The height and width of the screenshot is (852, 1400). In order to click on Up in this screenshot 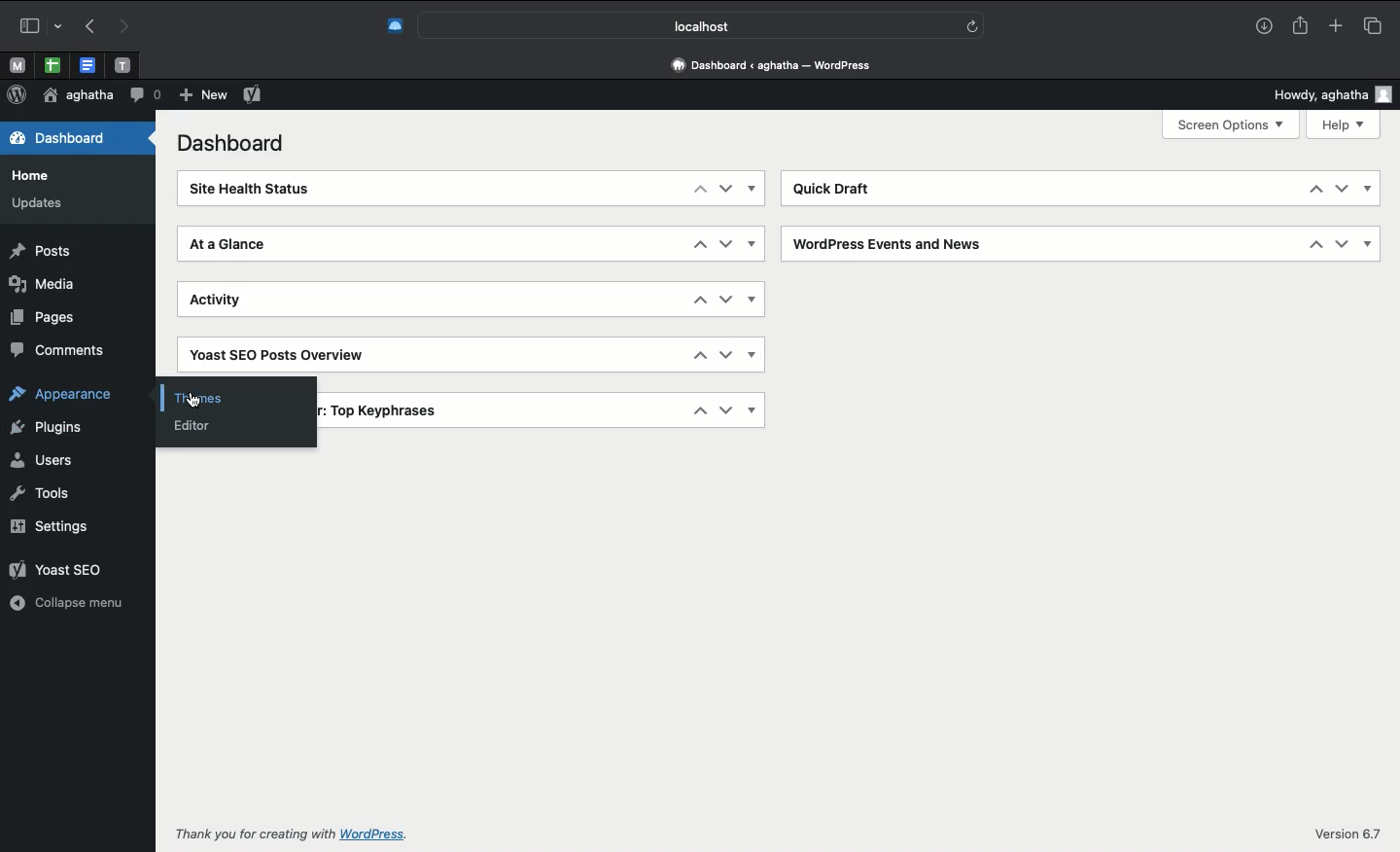, I will do `click(1313, 245)`.